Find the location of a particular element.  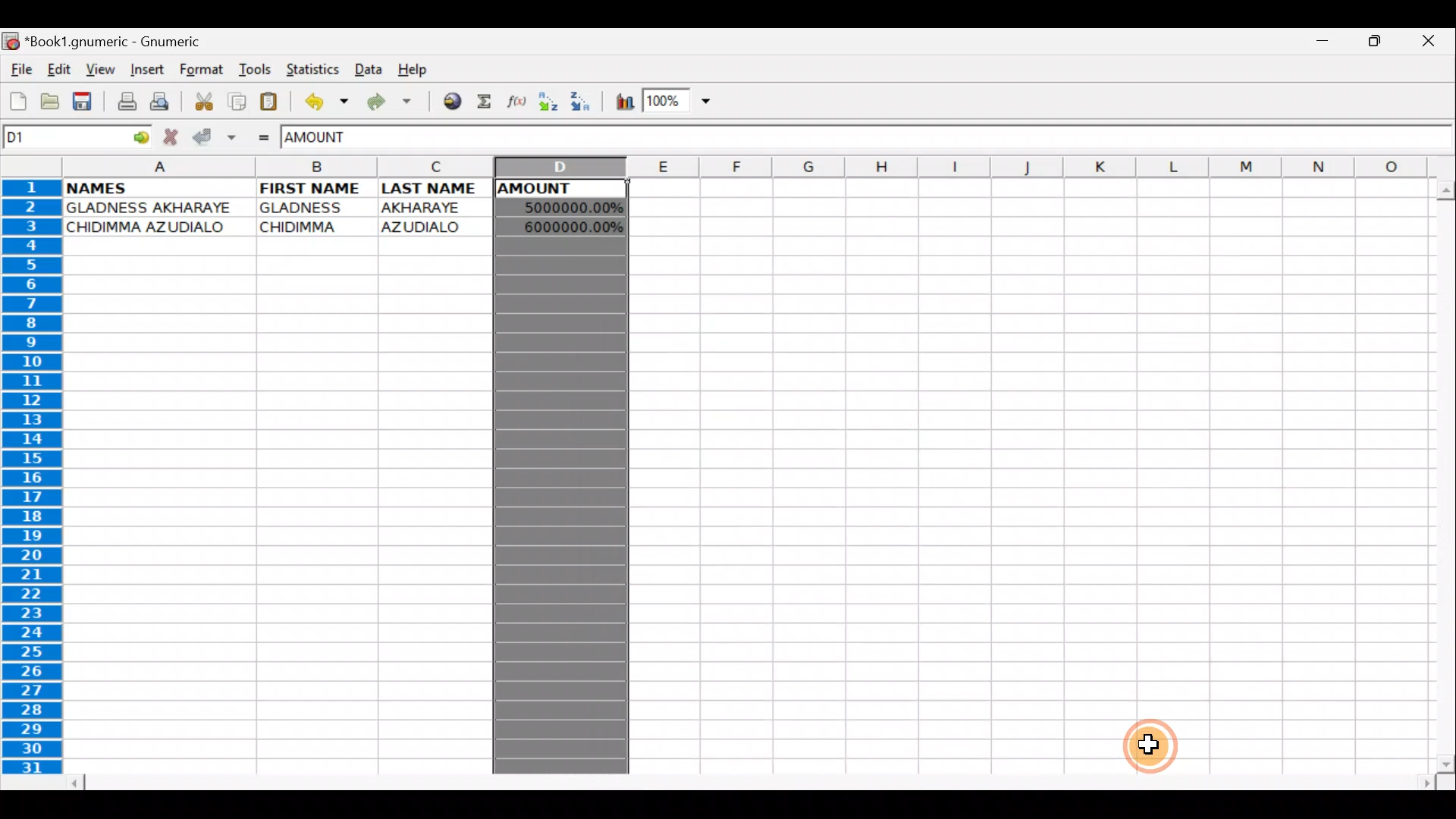

Copy selection is located at coordinates (234, 101).